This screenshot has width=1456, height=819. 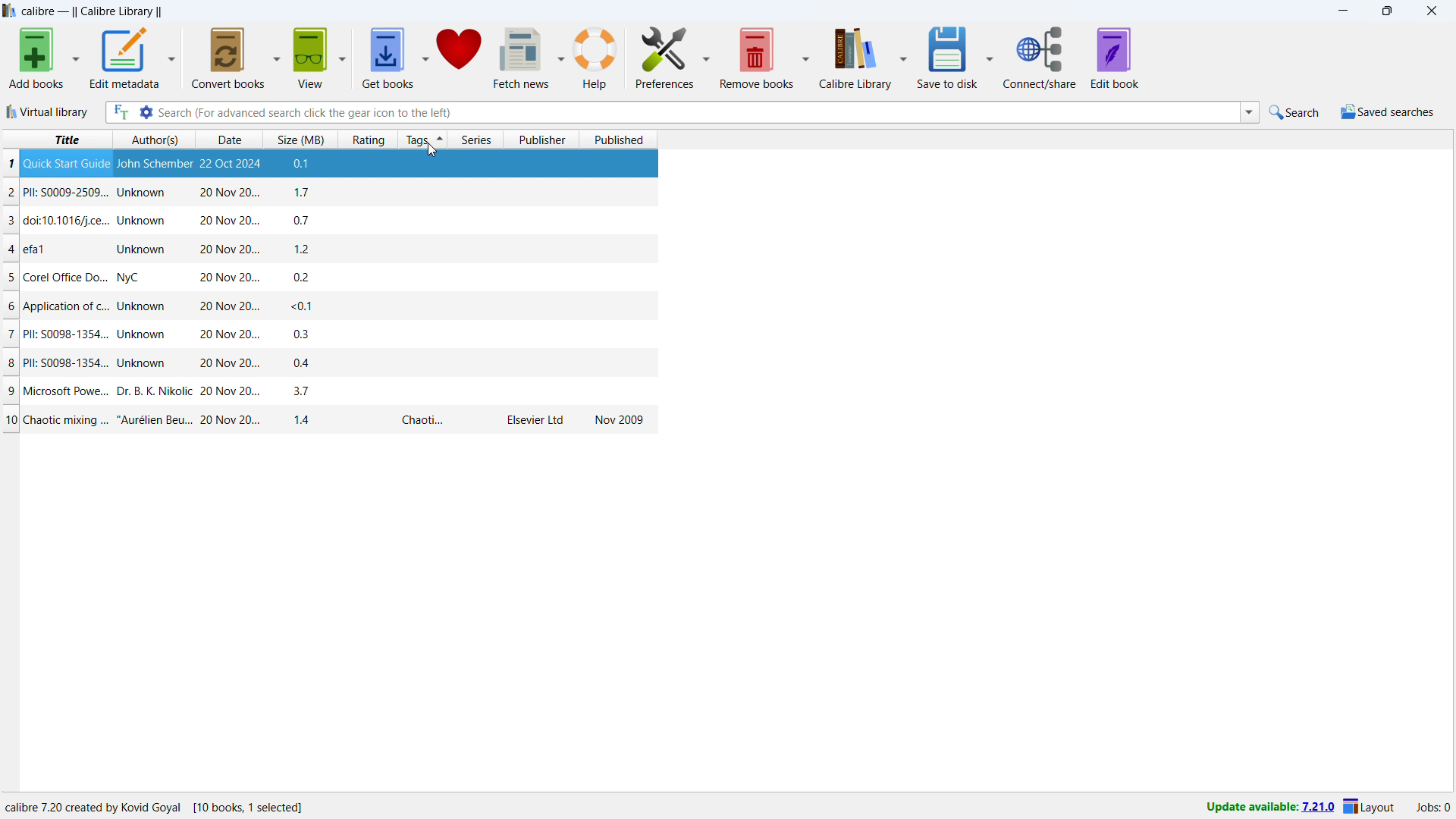 I want to click on sort by rating, so click(x=369, y=139).